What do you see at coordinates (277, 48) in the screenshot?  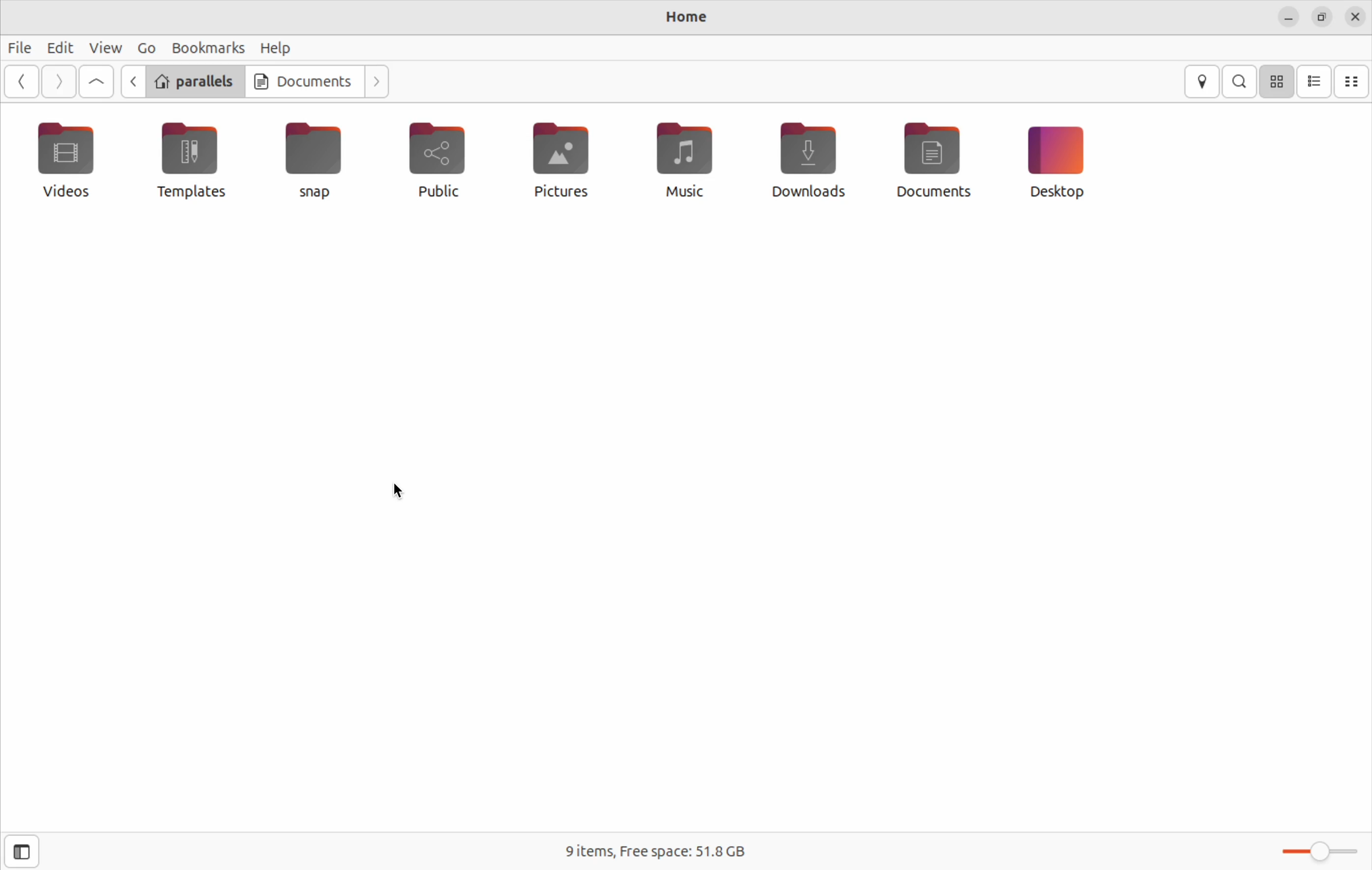 I see `help` at bounding box center [277, 48].